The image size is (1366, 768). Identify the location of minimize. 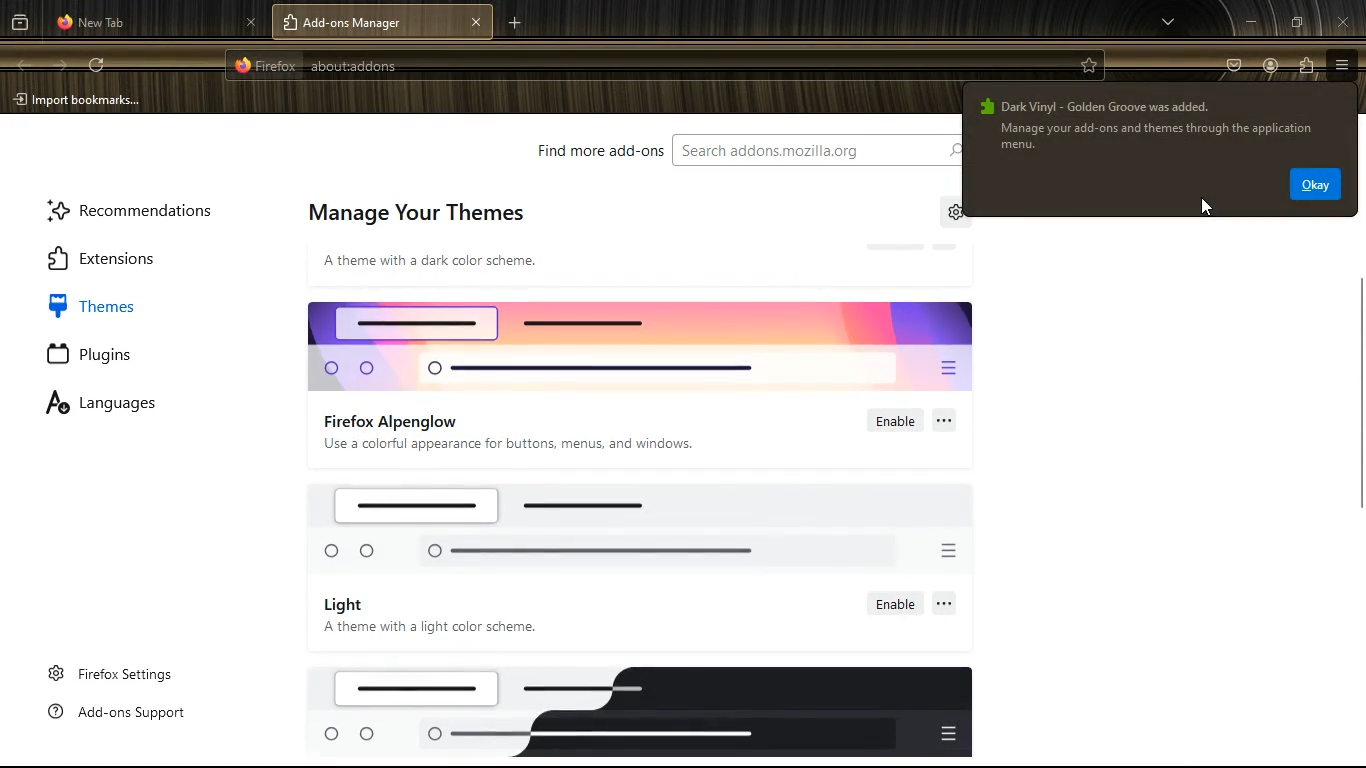
(1246, 20).